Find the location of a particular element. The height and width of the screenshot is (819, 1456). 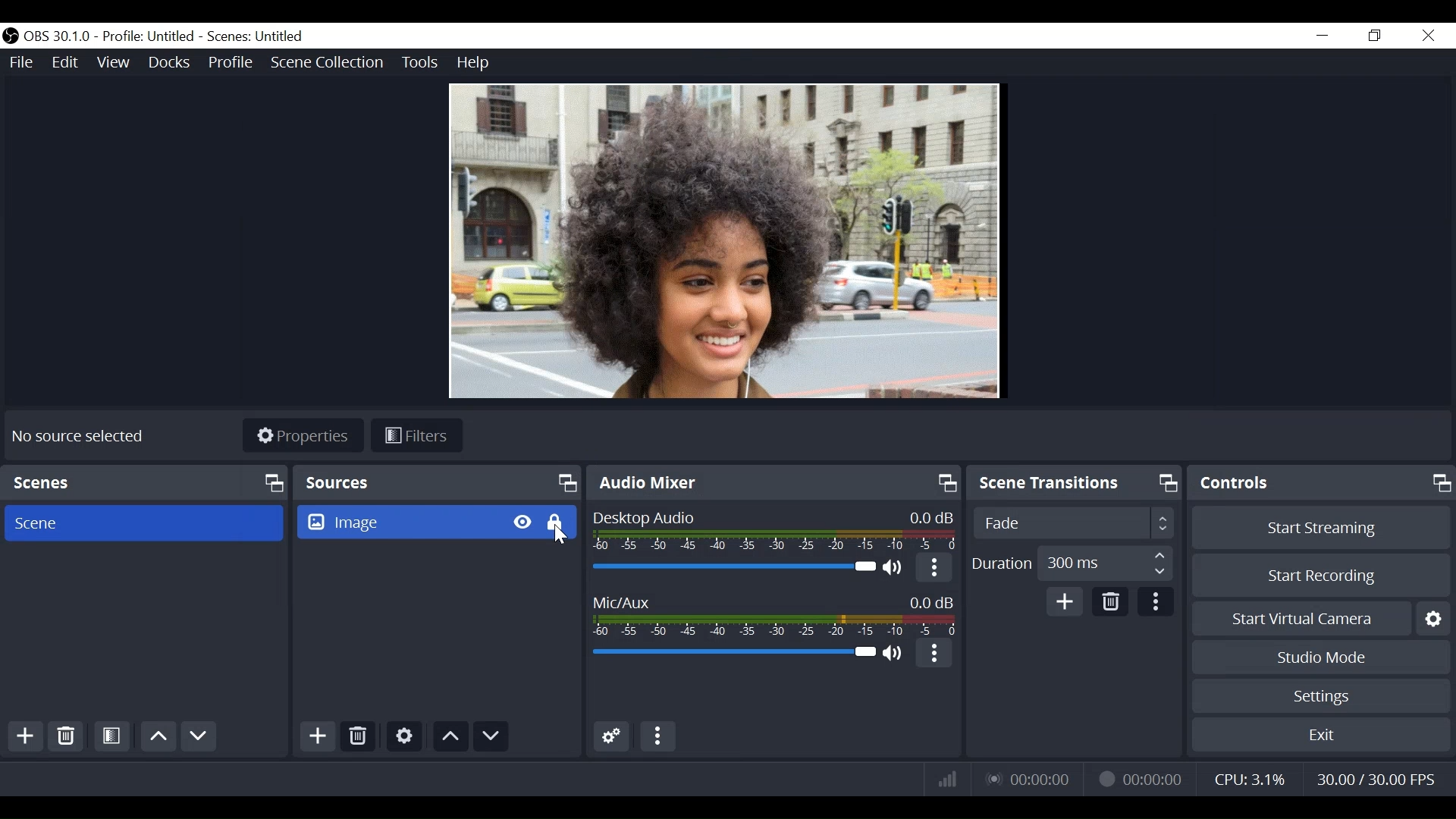

Restore is located at coordinates (1373, 35).